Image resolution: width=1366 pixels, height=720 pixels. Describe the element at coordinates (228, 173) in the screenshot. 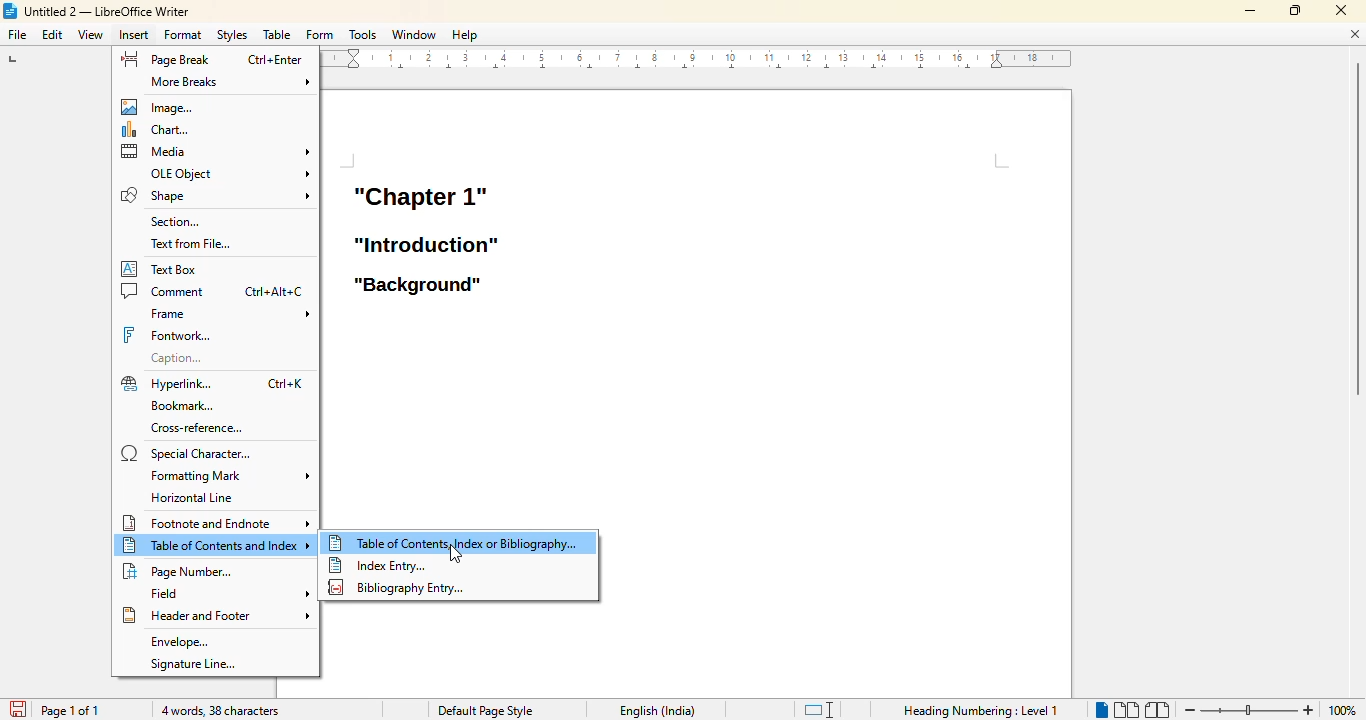

I see `OLE object` at that location.